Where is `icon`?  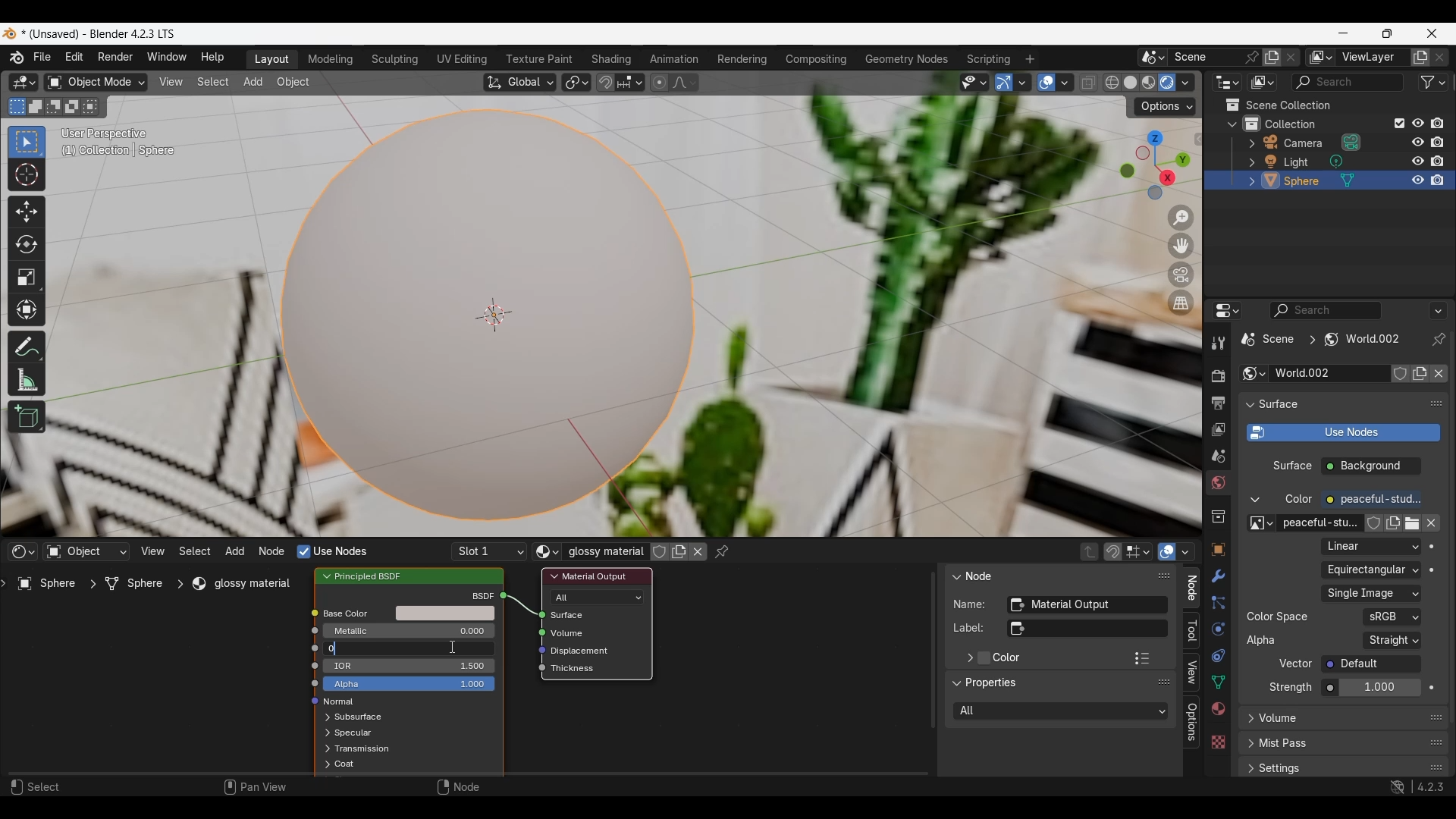 icon is located at coordinates (313, 612).